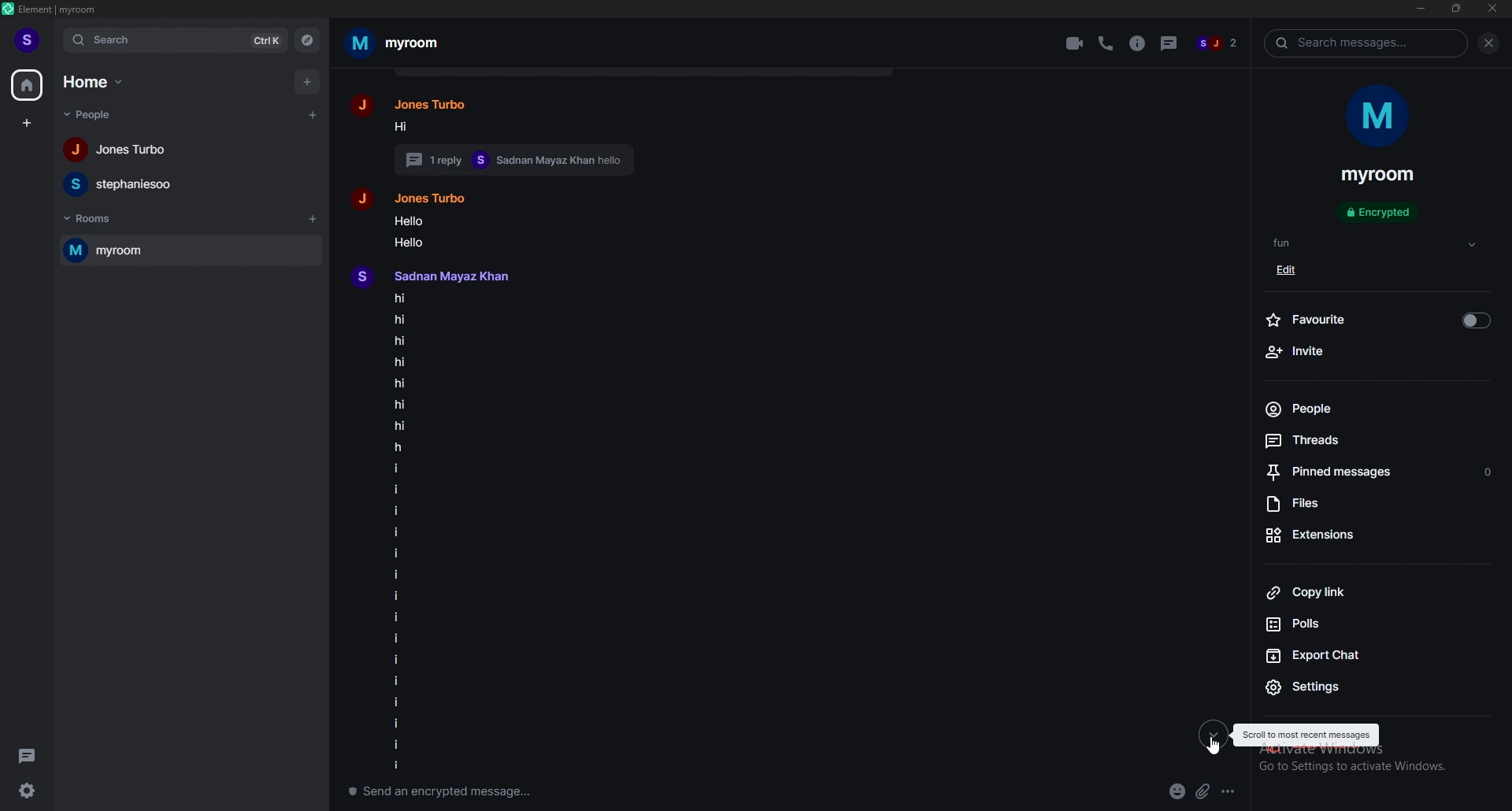 This screenshot has height=811, width=1512. I want to click on send an encrypted message..., so click(498, 794).